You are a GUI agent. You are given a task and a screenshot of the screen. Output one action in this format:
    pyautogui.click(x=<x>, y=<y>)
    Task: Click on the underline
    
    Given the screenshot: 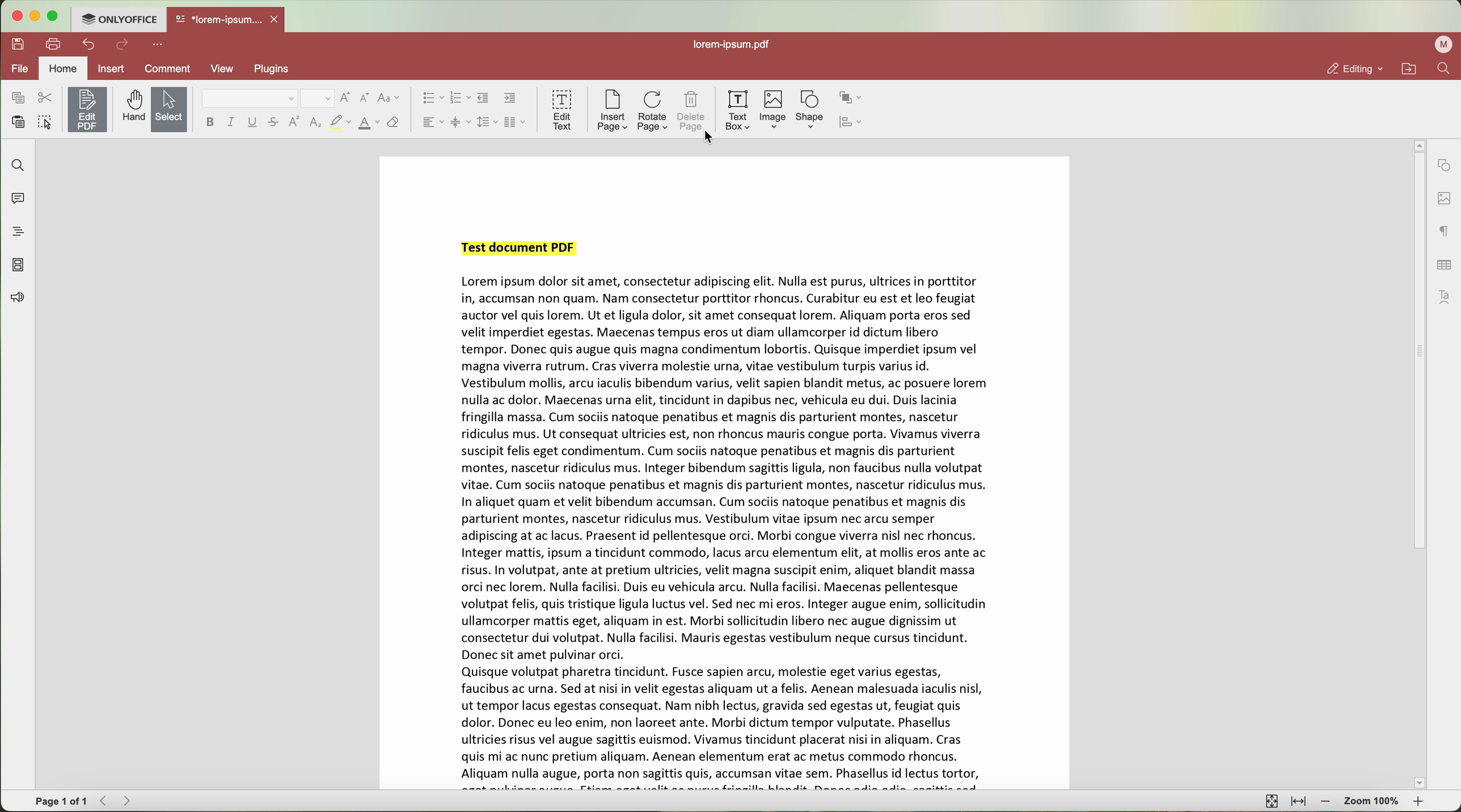 What is the action you would take?
    pyautogui.click(x=253, y=124)
    